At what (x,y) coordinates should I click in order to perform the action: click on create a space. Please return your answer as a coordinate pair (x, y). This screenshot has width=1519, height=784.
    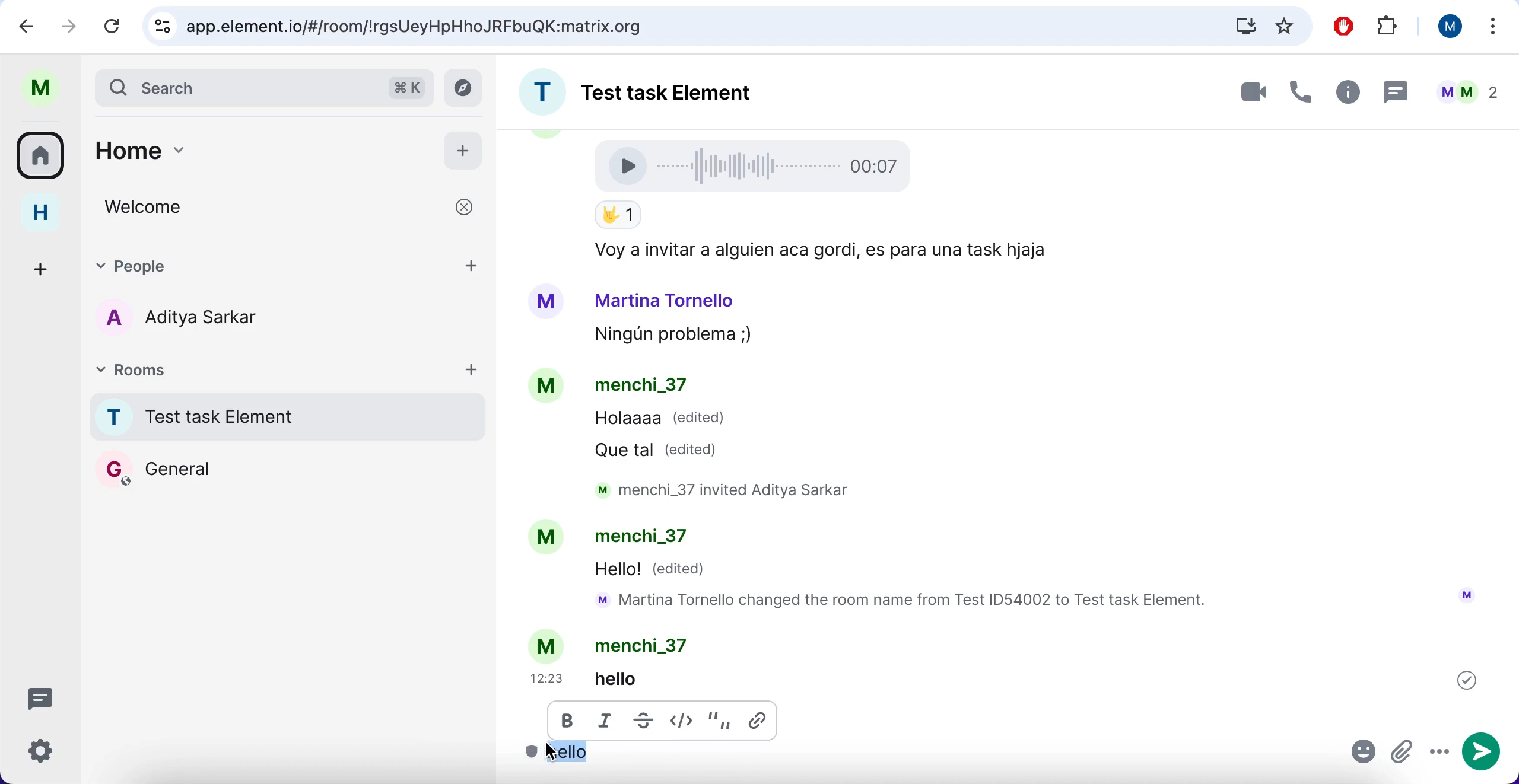
    Looking at the image, I should click on (45, 267).